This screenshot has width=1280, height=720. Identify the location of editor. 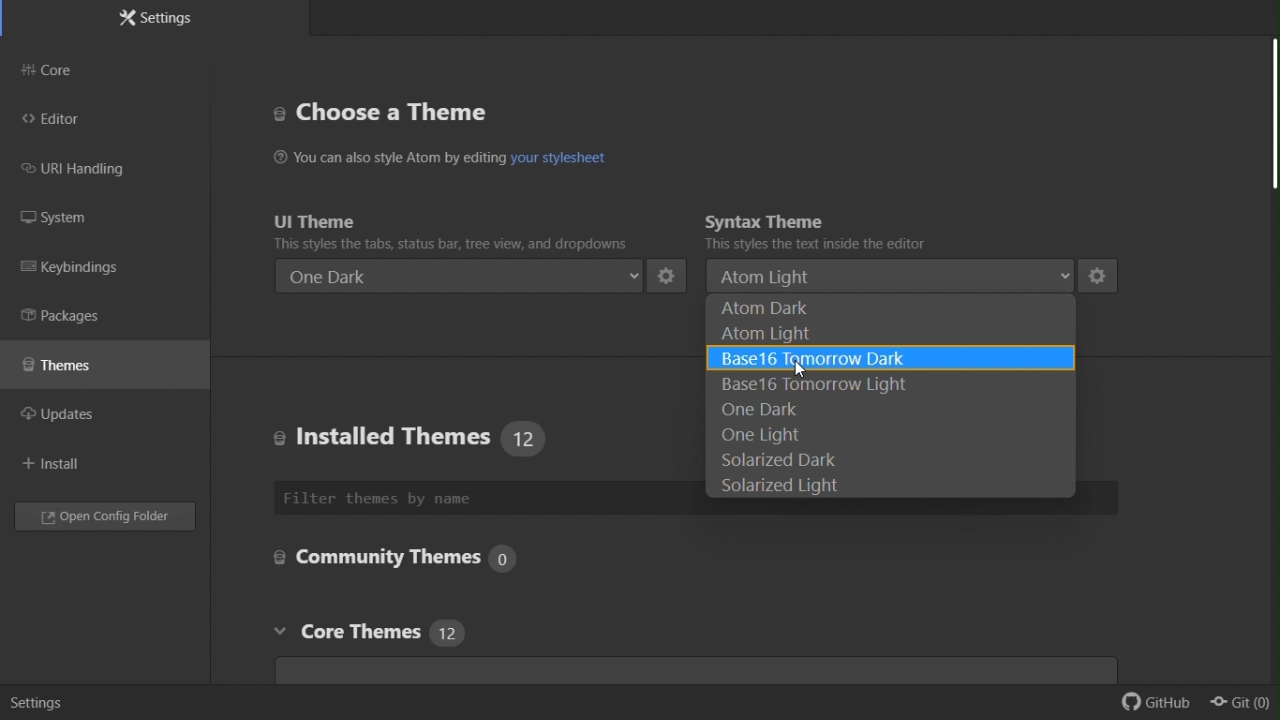
(62, 119).